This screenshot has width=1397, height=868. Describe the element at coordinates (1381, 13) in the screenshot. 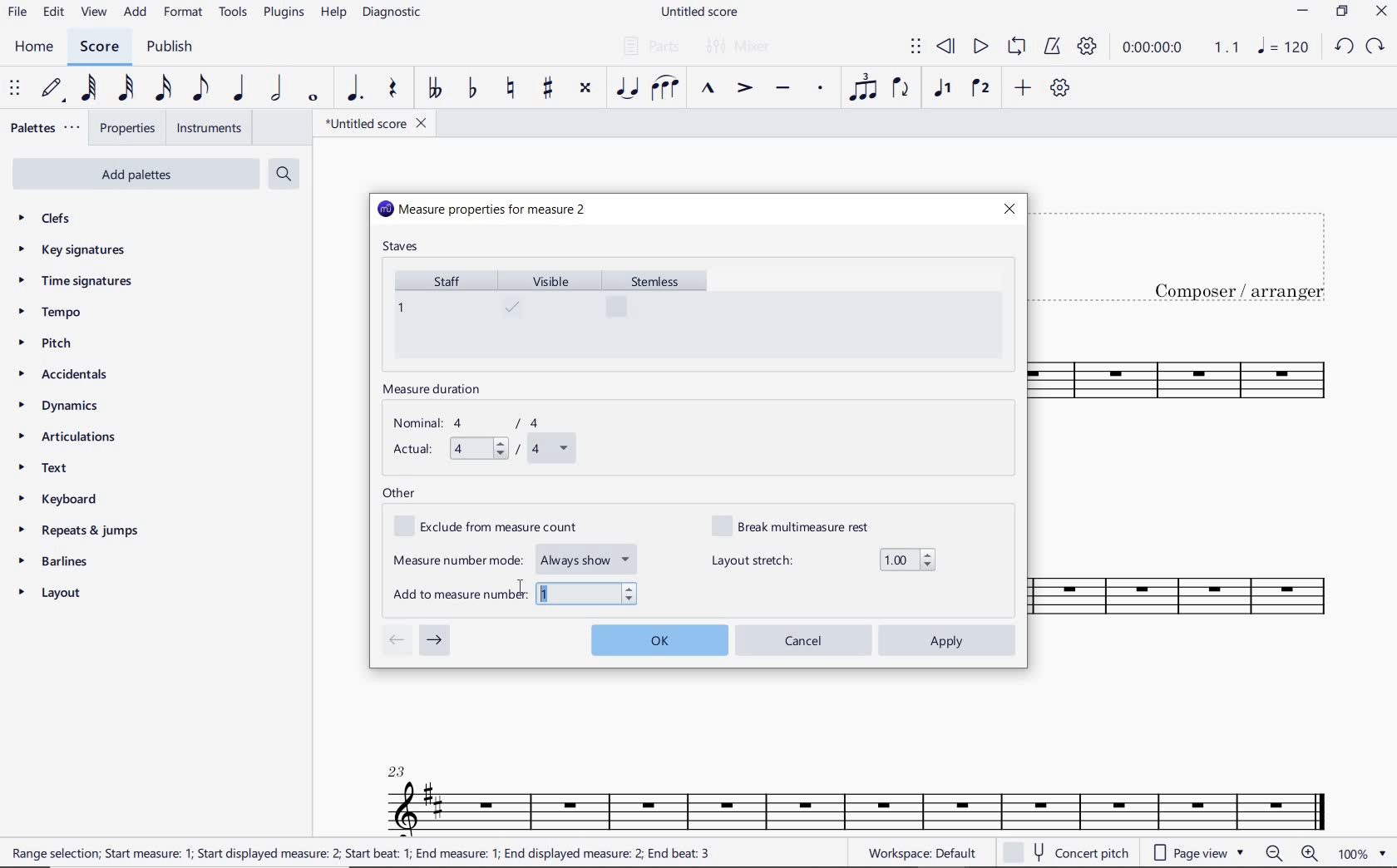

I see `CLOSE` at that location.